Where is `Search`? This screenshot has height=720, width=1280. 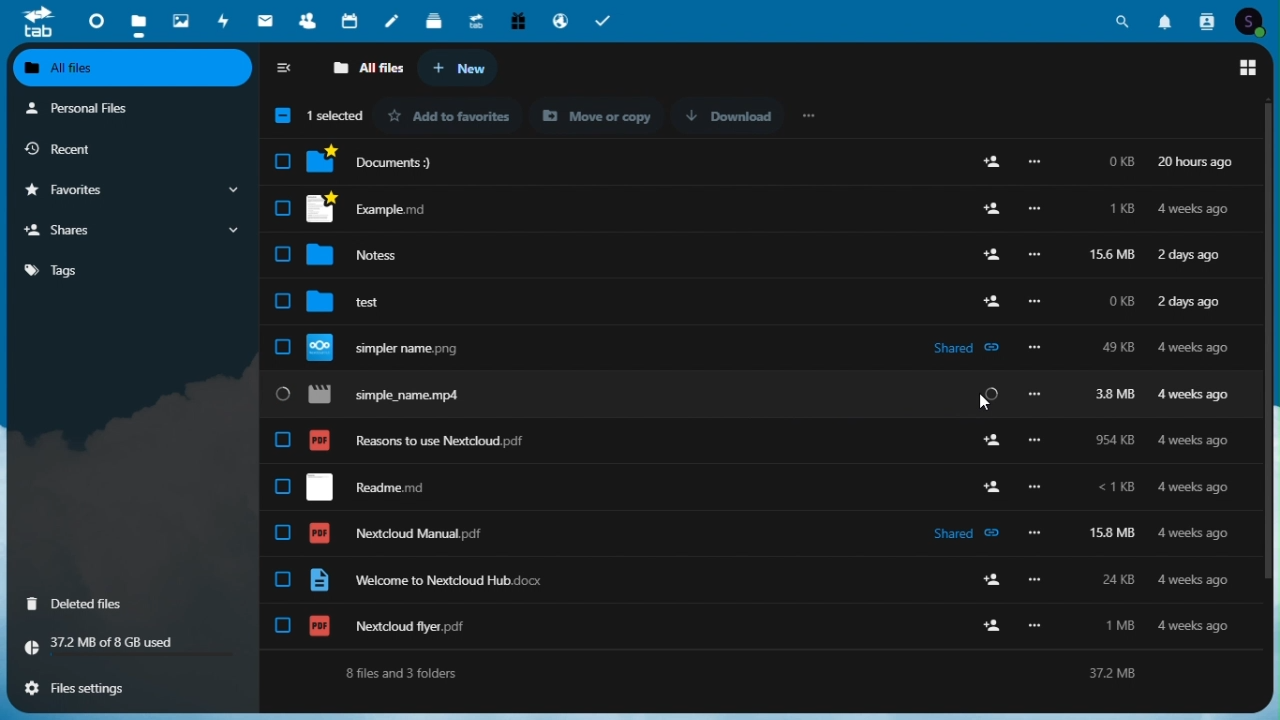 Search is located at coordinates (1126, 19).